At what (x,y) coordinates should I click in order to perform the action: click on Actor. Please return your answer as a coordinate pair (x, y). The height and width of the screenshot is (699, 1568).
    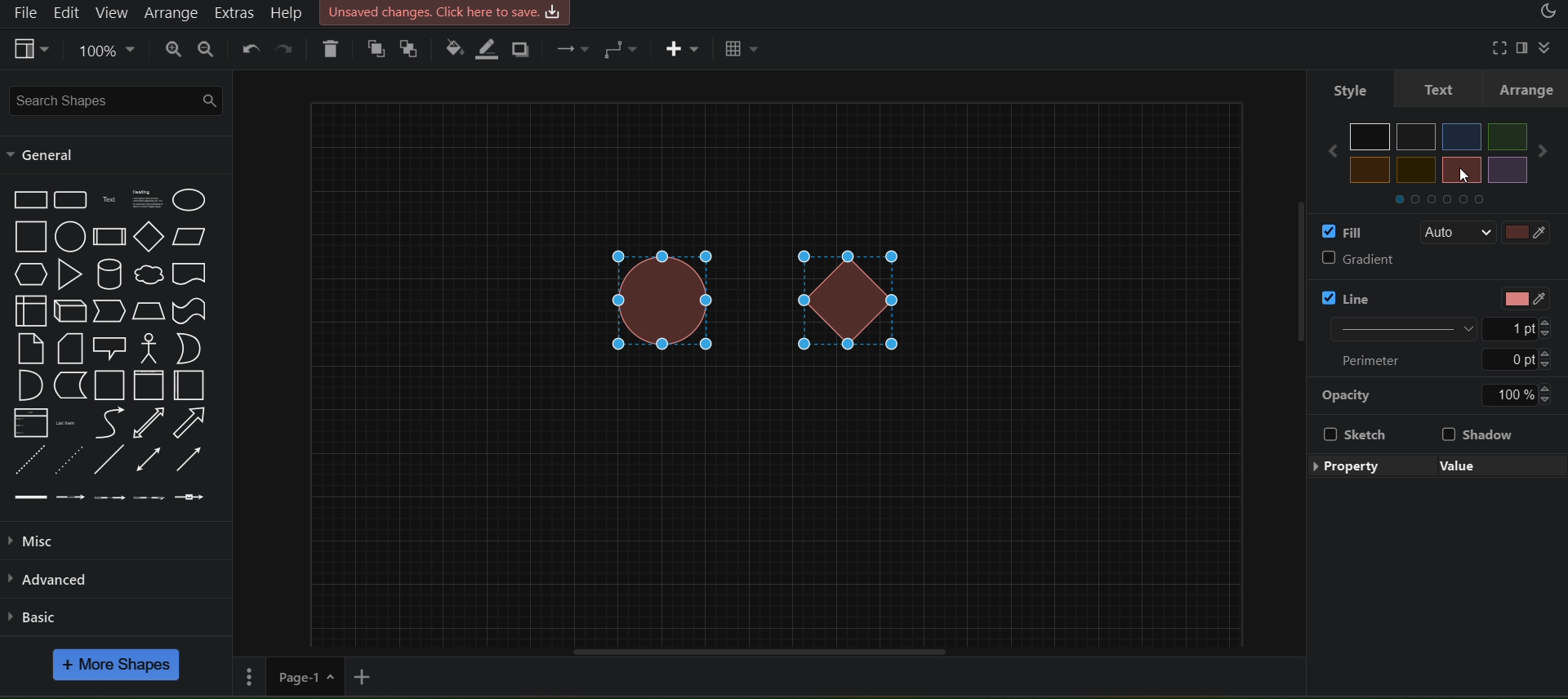
    Looking at the image, I should click on (149, 347).